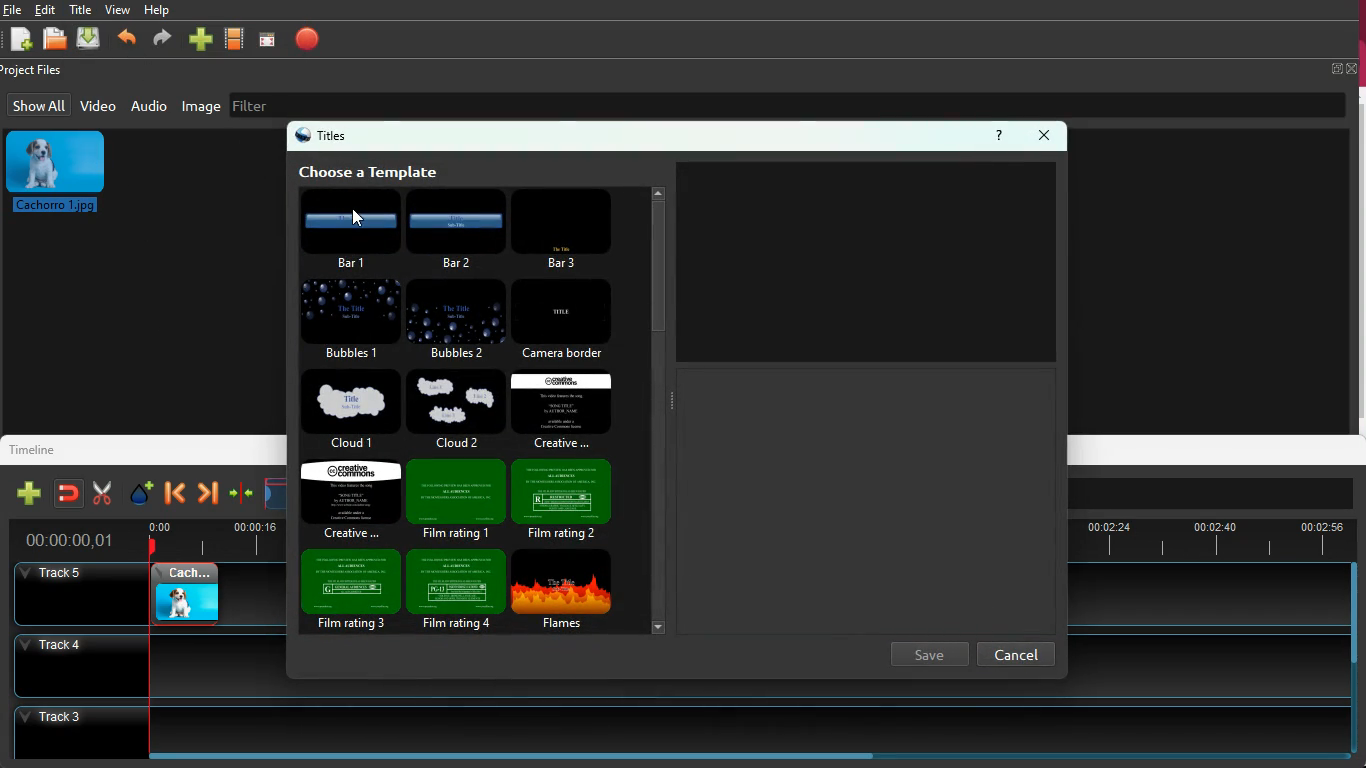 Image resolution: width=1366 pixels, height=768 pixels. What do you see at coordinates (158, 12) in the screenshot?
I see `help` at bounding box center [158, 12].